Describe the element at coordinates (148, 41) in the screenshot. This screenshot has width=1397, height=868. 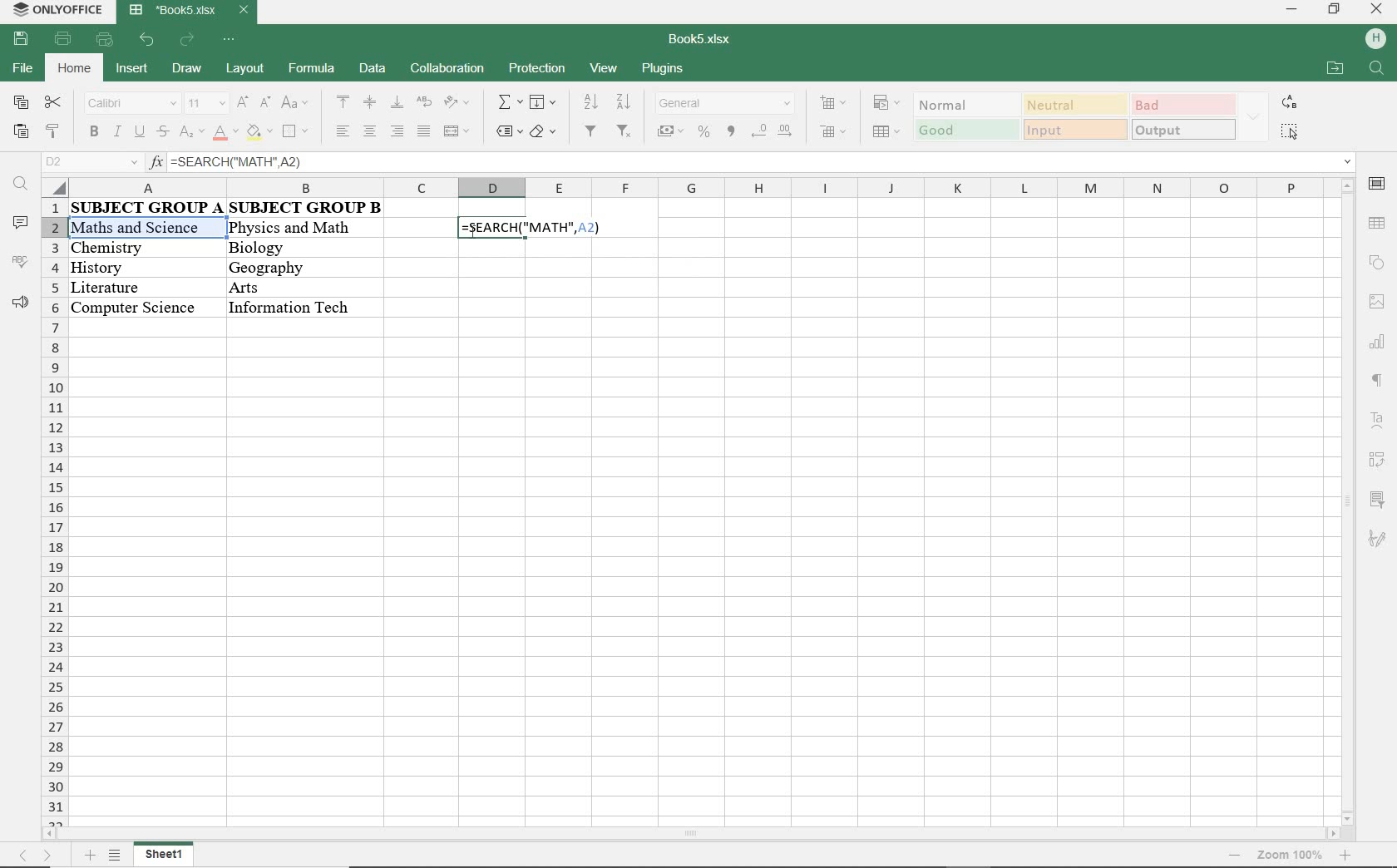
I see `undo` at that location.